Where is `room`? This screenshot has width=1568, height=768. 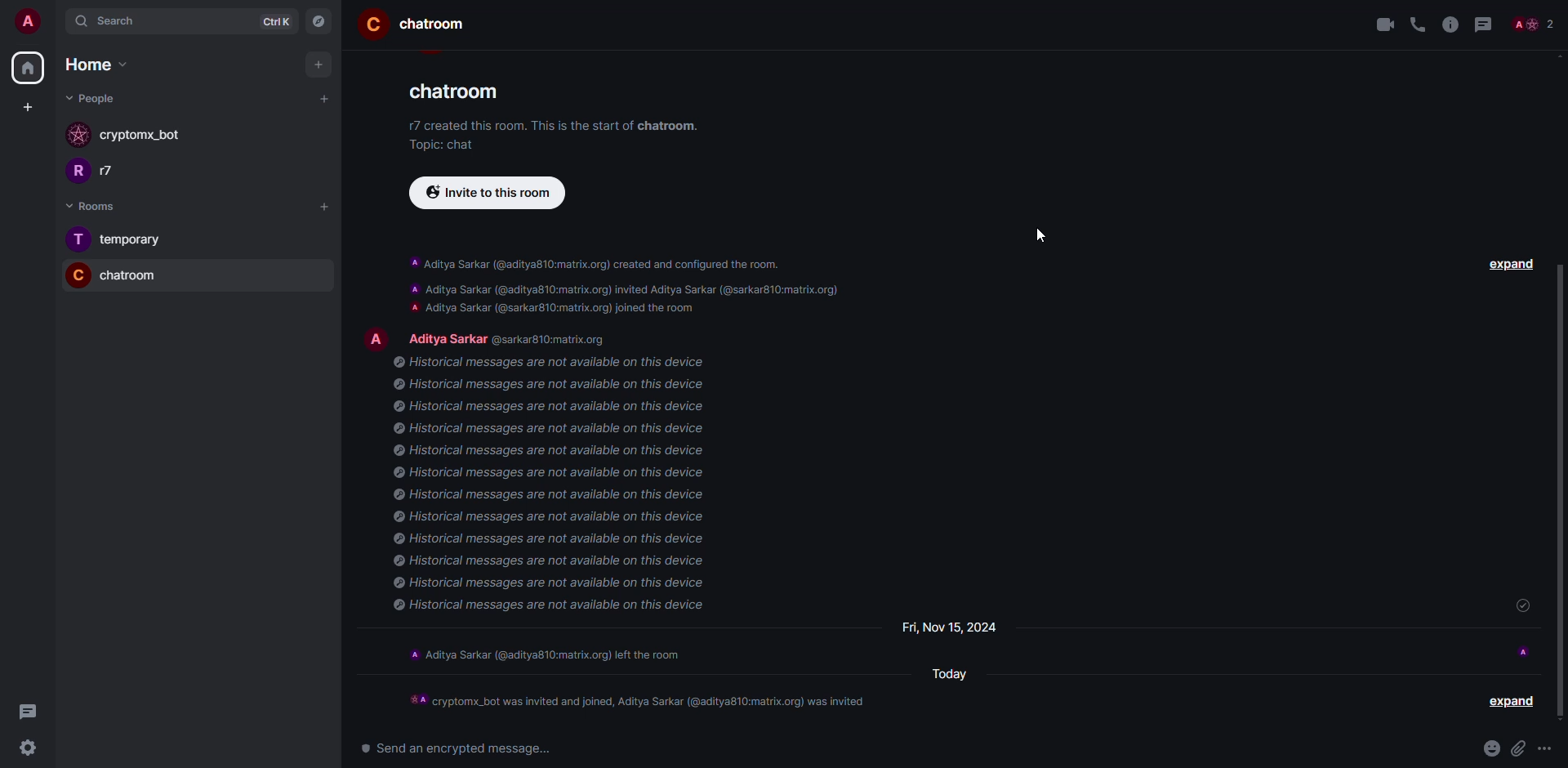 room is located at coordinates (134, 240).